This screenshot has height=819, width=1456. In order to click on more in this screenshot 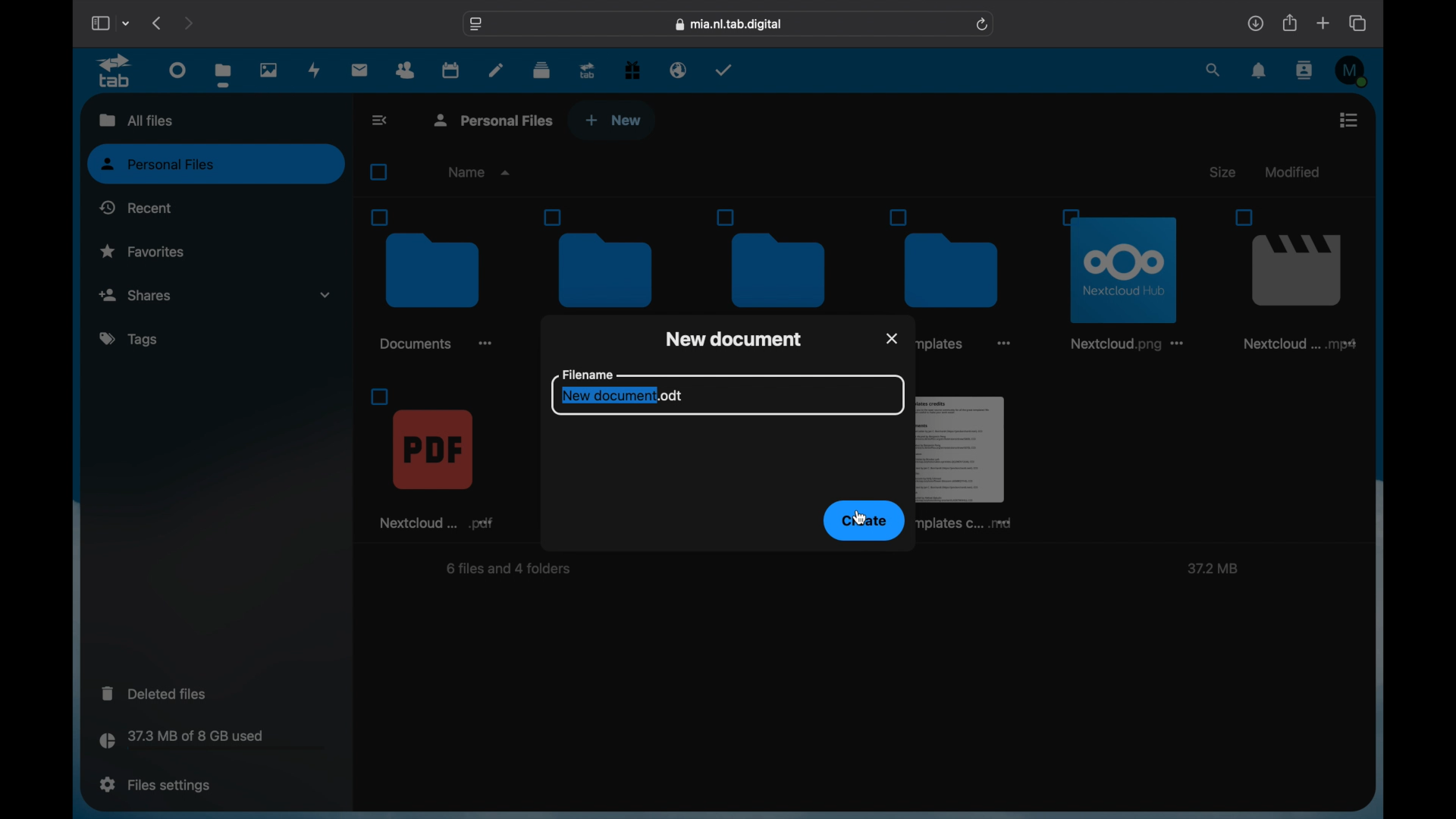, I will do `click(1004, 347)`.